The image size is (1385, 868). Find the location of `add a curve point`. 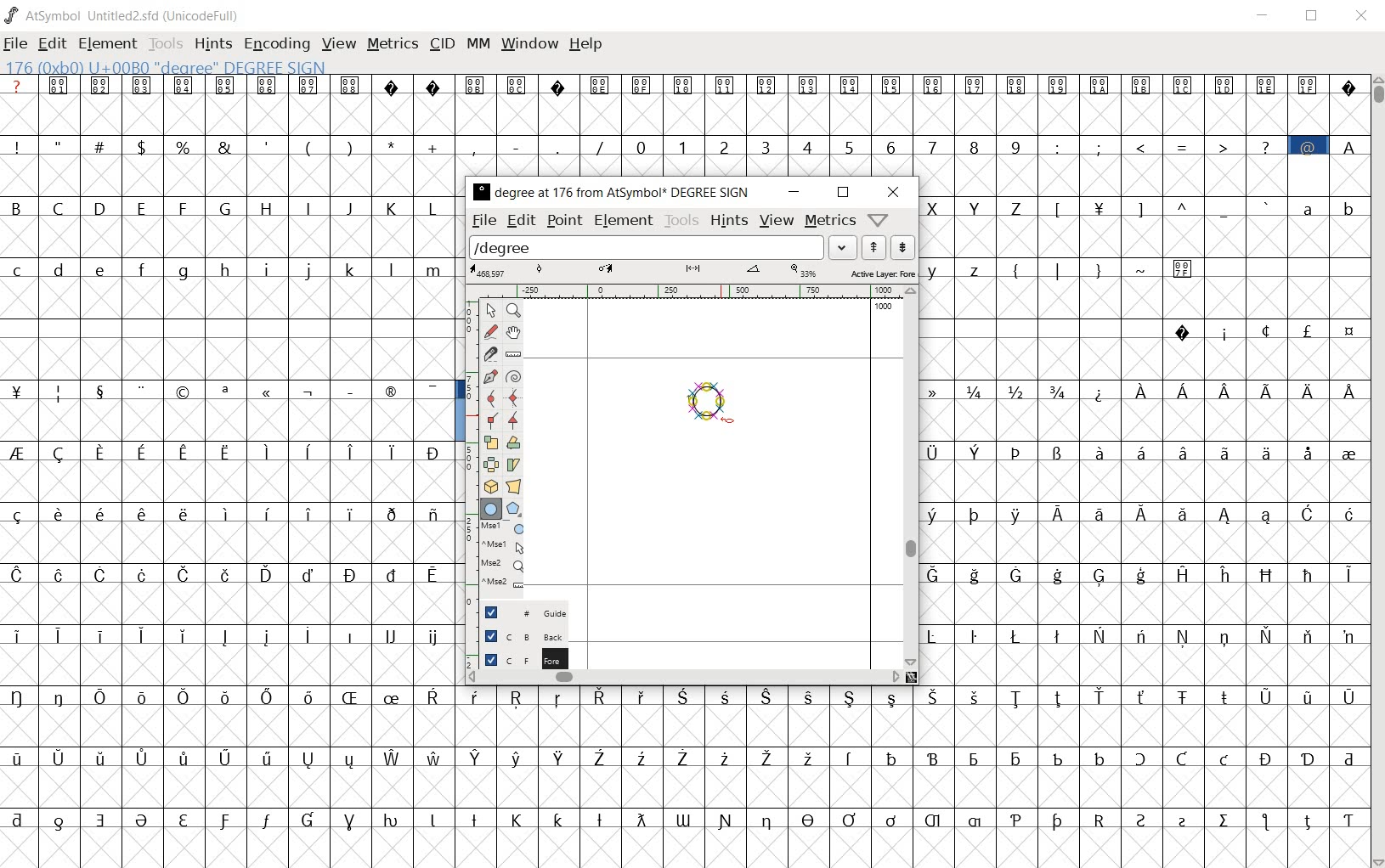

add a curve point is located at coordinates (491, 398).